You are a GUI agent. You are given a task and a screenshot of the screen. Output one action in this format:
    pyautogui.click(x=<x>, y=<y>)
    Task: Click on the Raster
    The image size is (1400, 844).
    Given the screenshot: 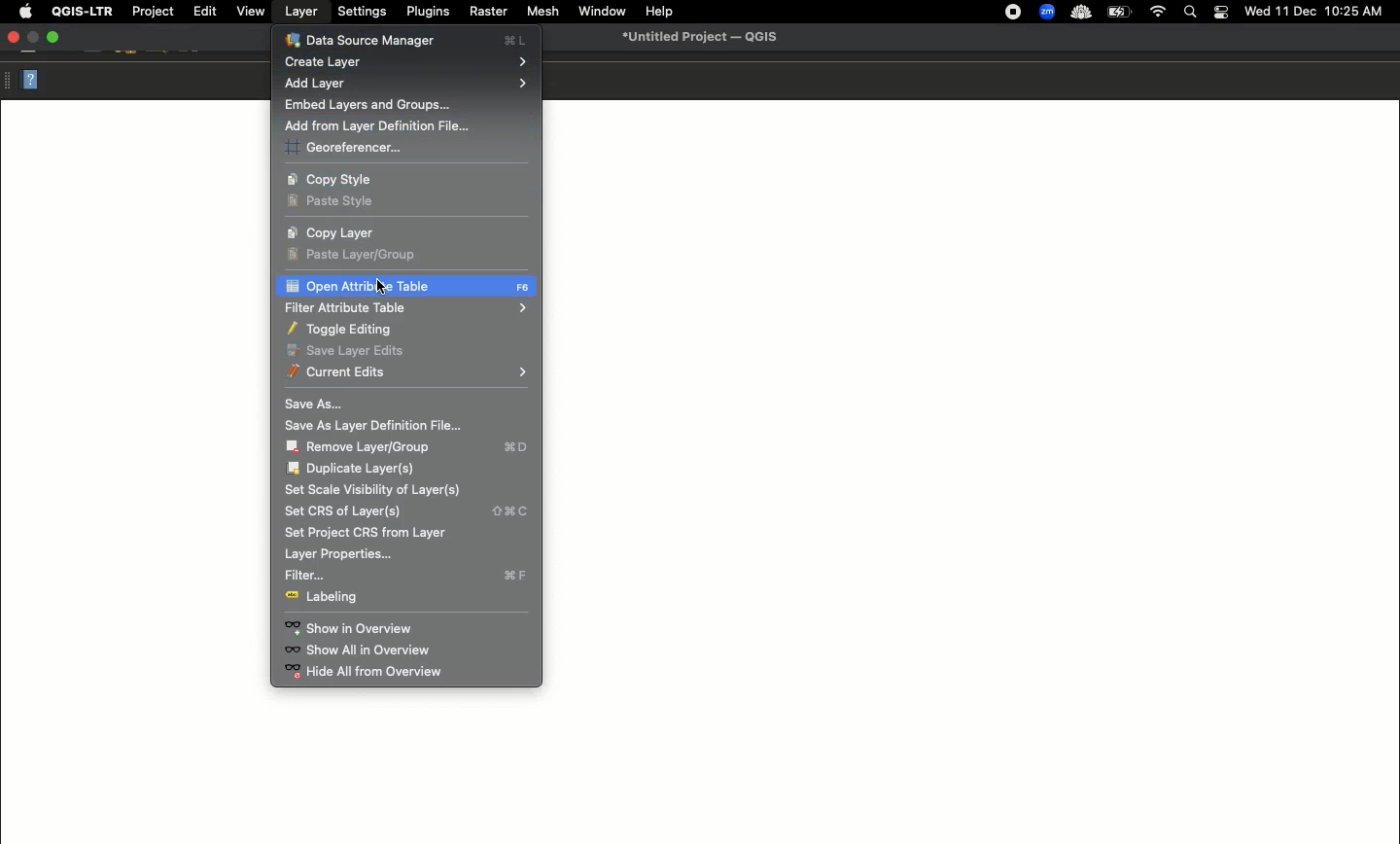 What is the action you would take?
    pyautogui.click(x=487, y=11)
    